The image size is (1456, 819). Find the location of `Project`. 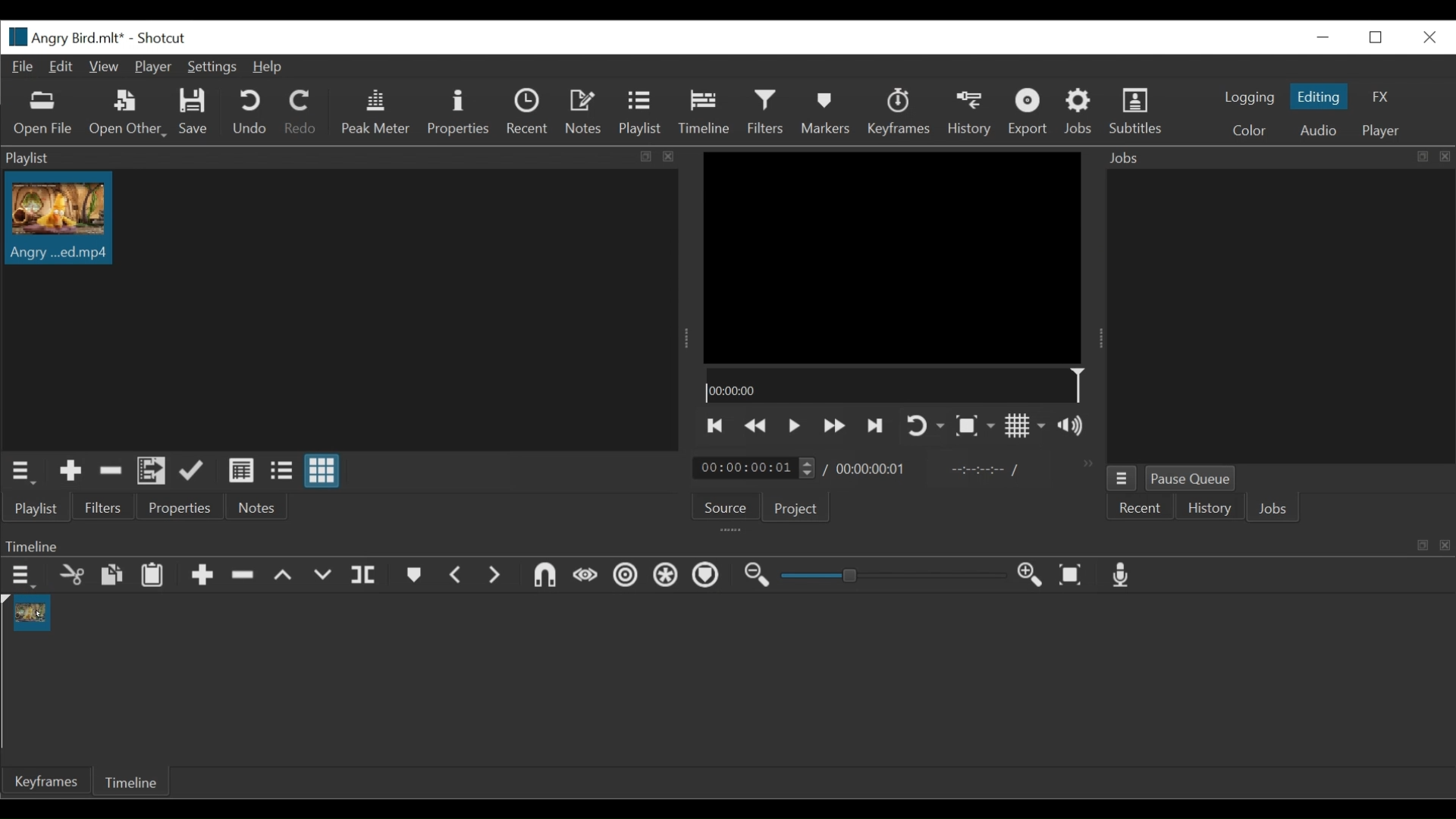

Project is located at coordinates (798, 509).